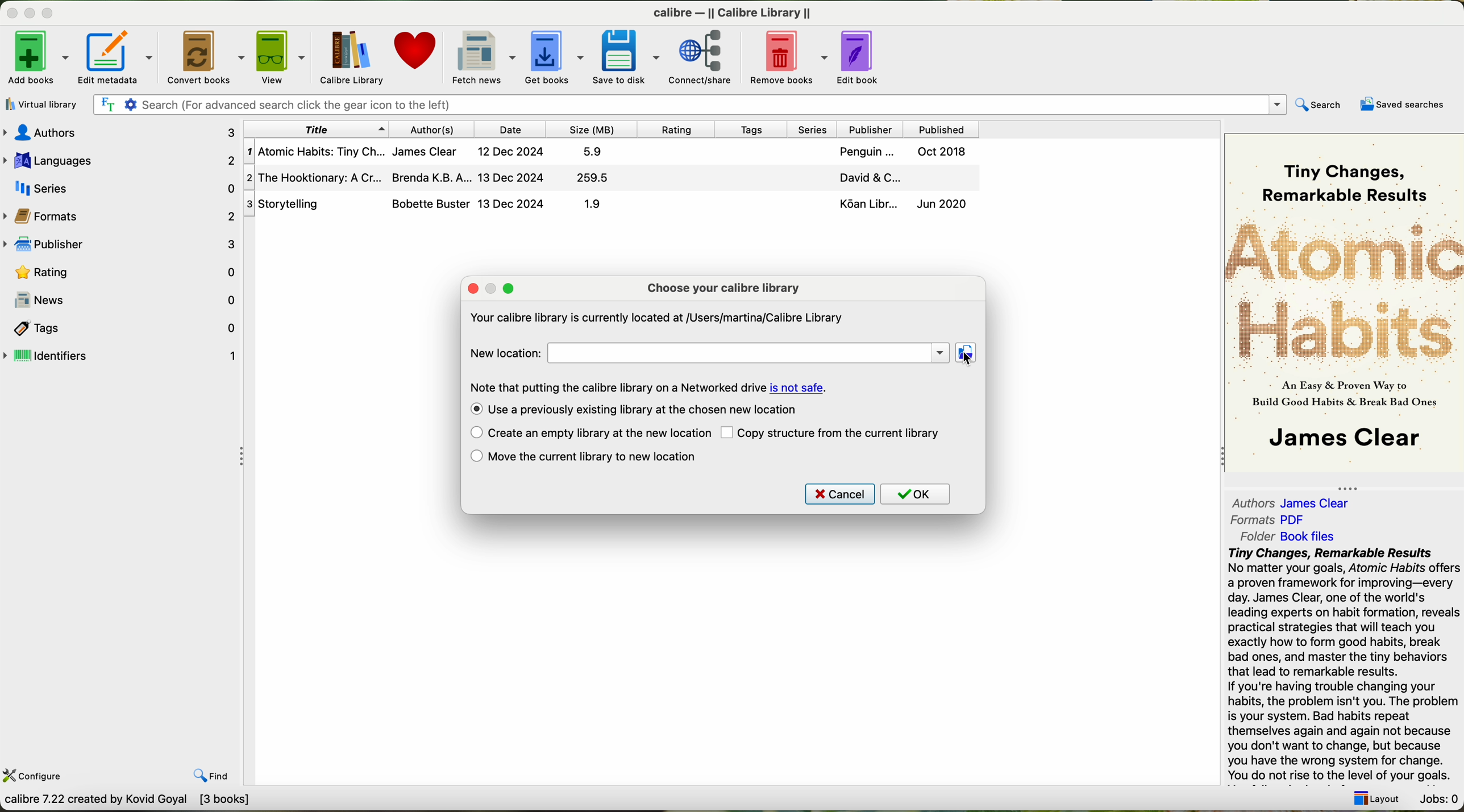  I want to click on configure, so click(44, 777).